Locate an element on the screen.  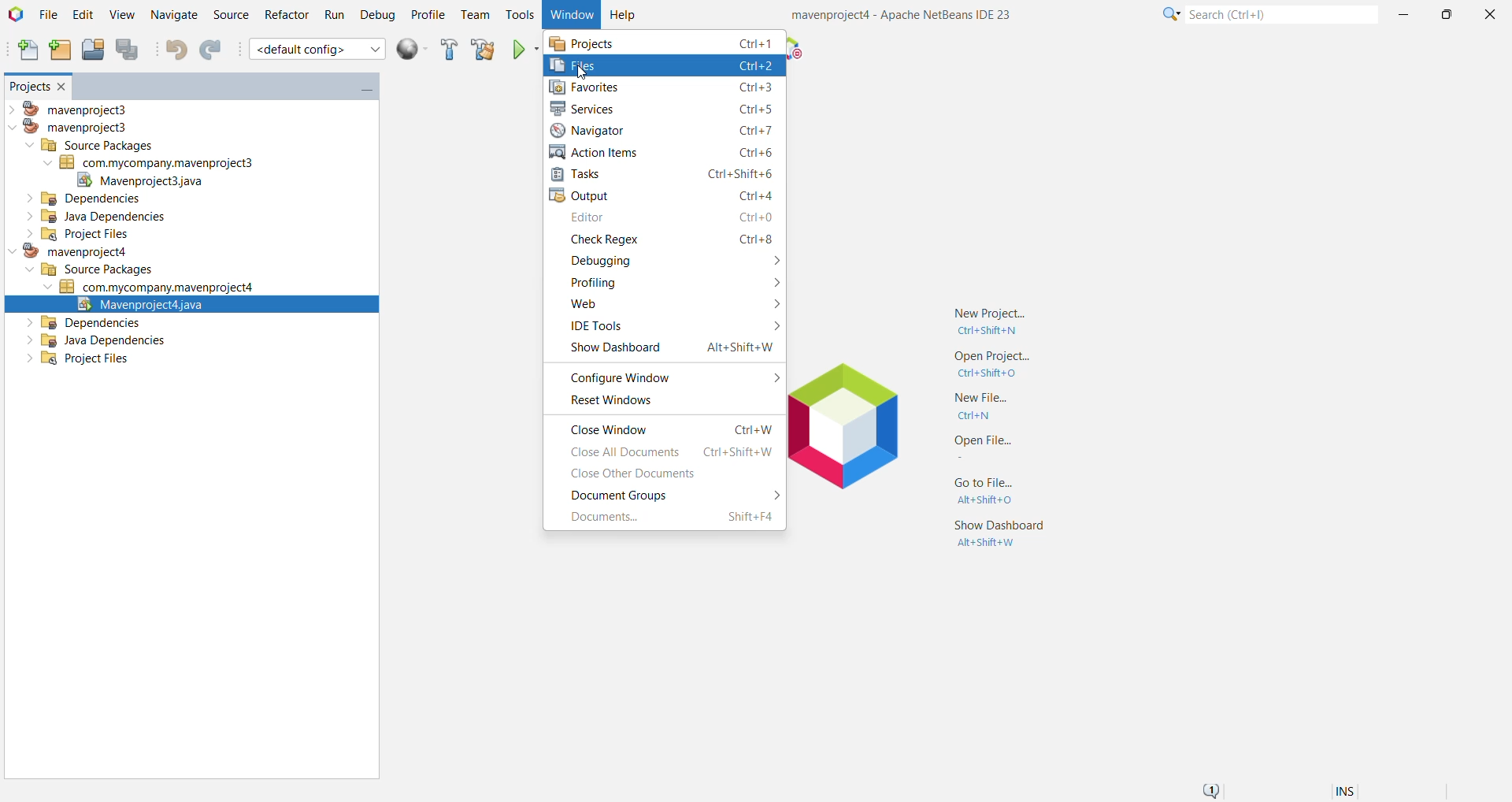
mavenproject3 is located at coordinates (73, 108).